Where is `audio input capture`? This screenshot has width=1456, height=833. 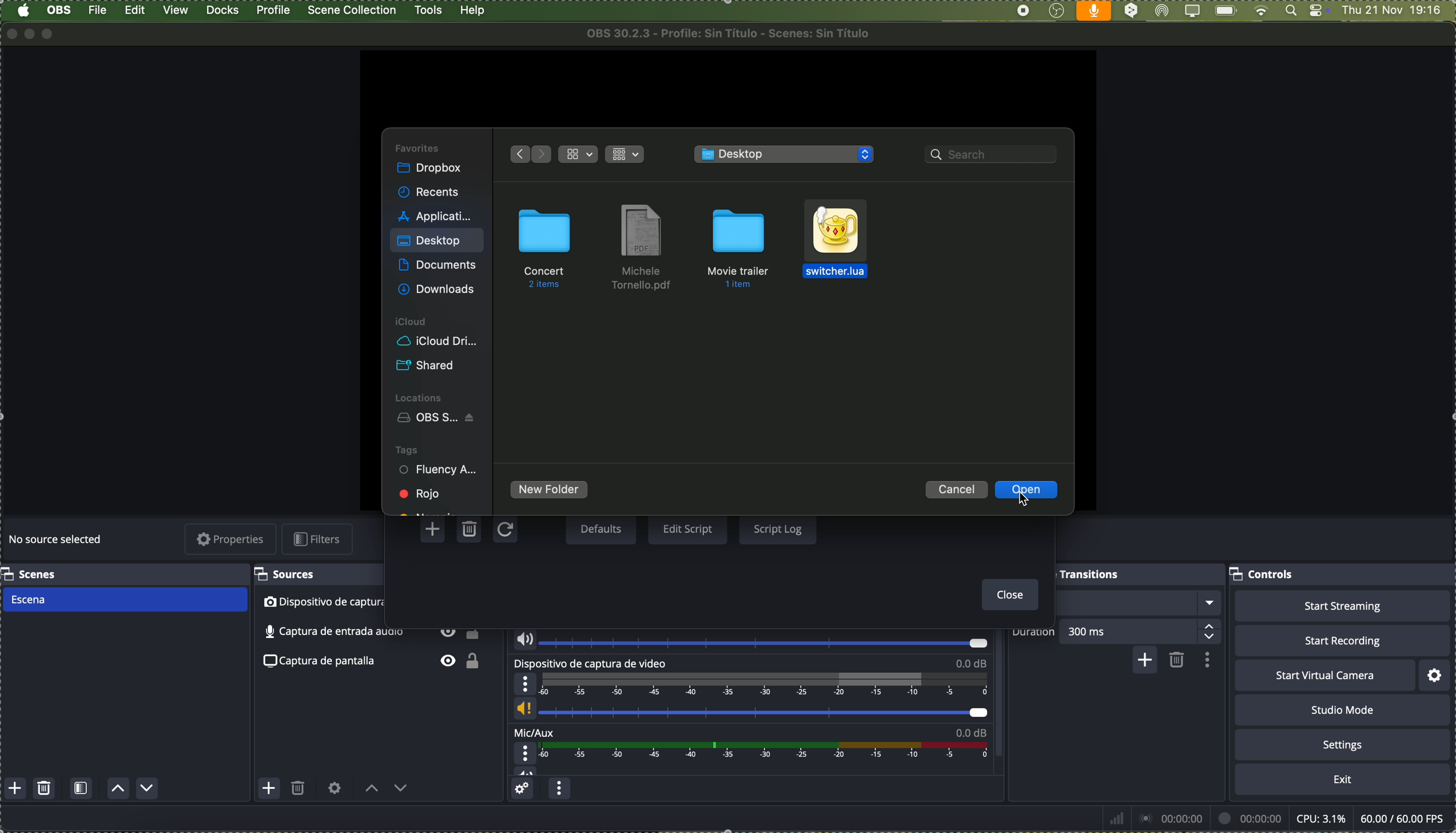
audio input capture is located at coordinates (371, 635).